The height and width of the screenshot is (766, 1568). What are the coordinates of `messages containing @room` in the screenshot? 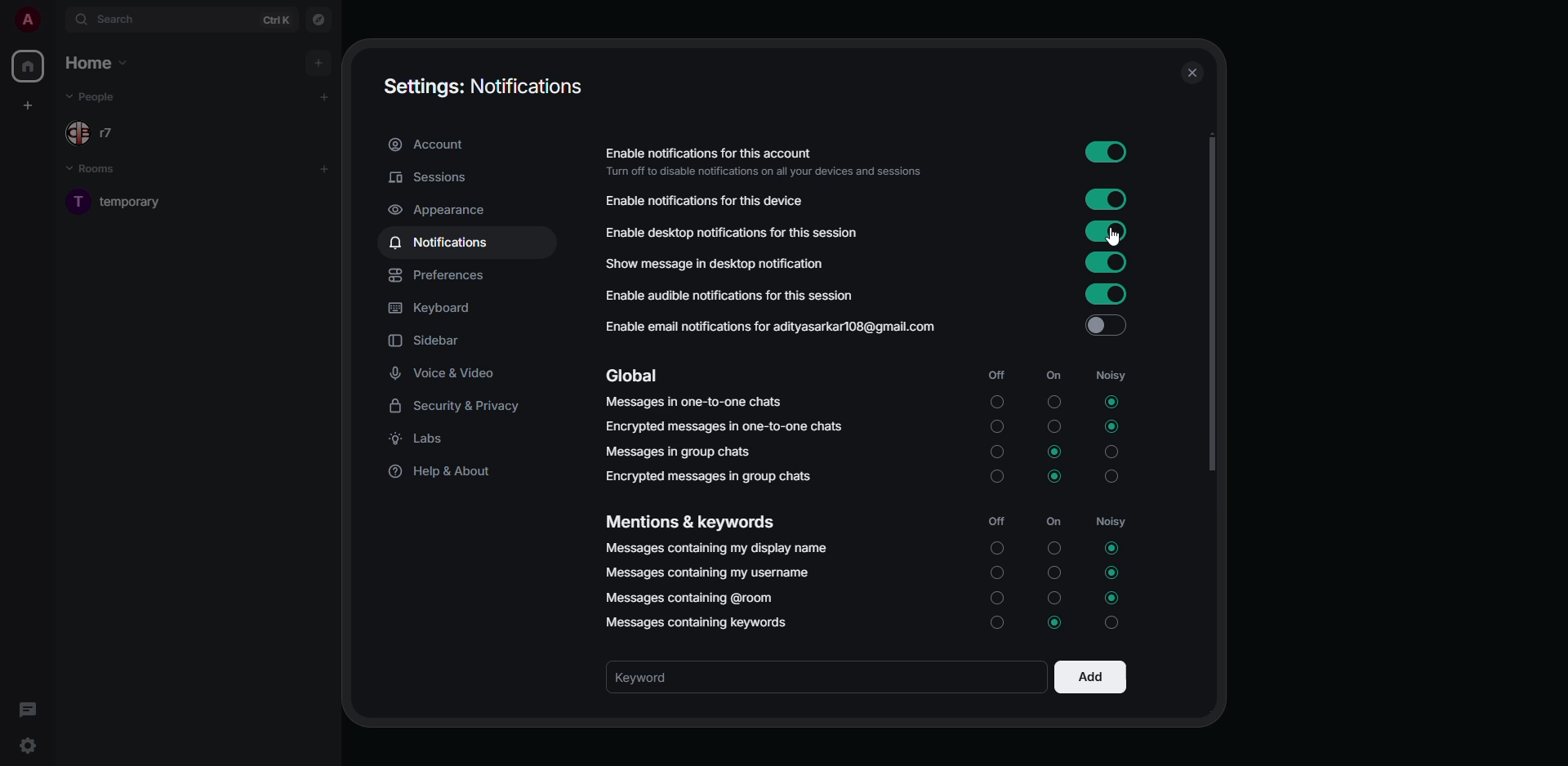 It's located at (688, 598).